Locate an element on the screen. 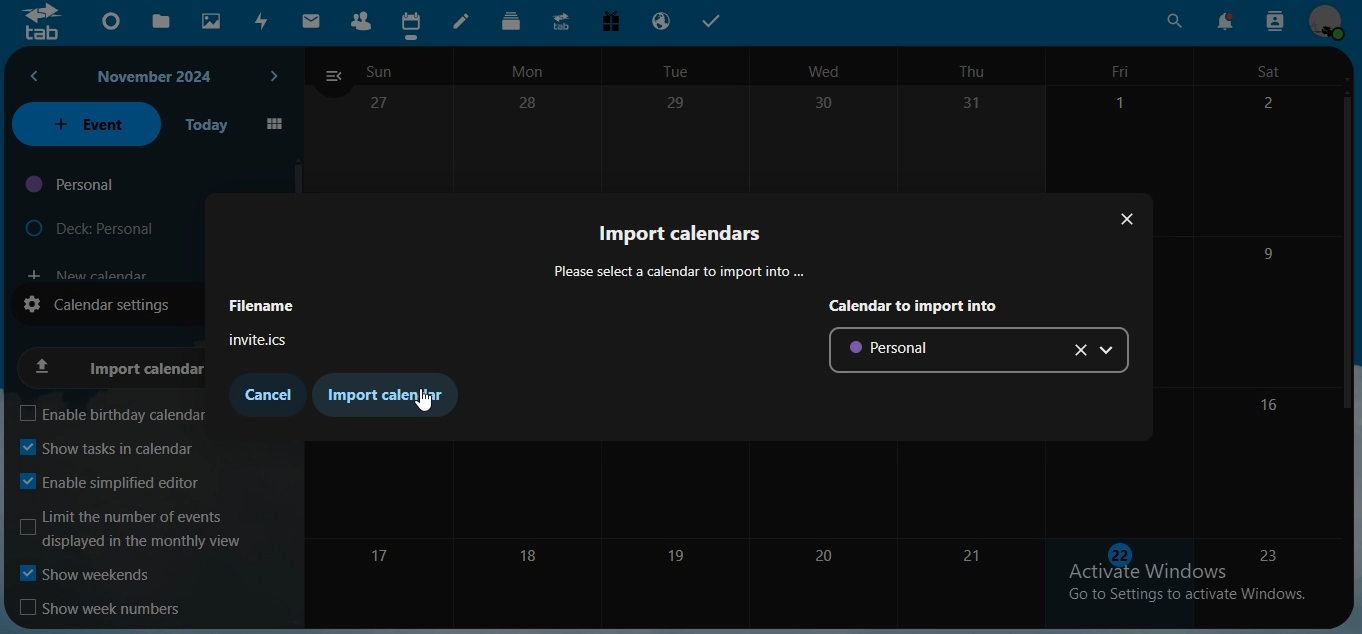 Image resolution: width=1362 pixels, height=634 pixels. calendar settings is located at coordinates (100, 304).